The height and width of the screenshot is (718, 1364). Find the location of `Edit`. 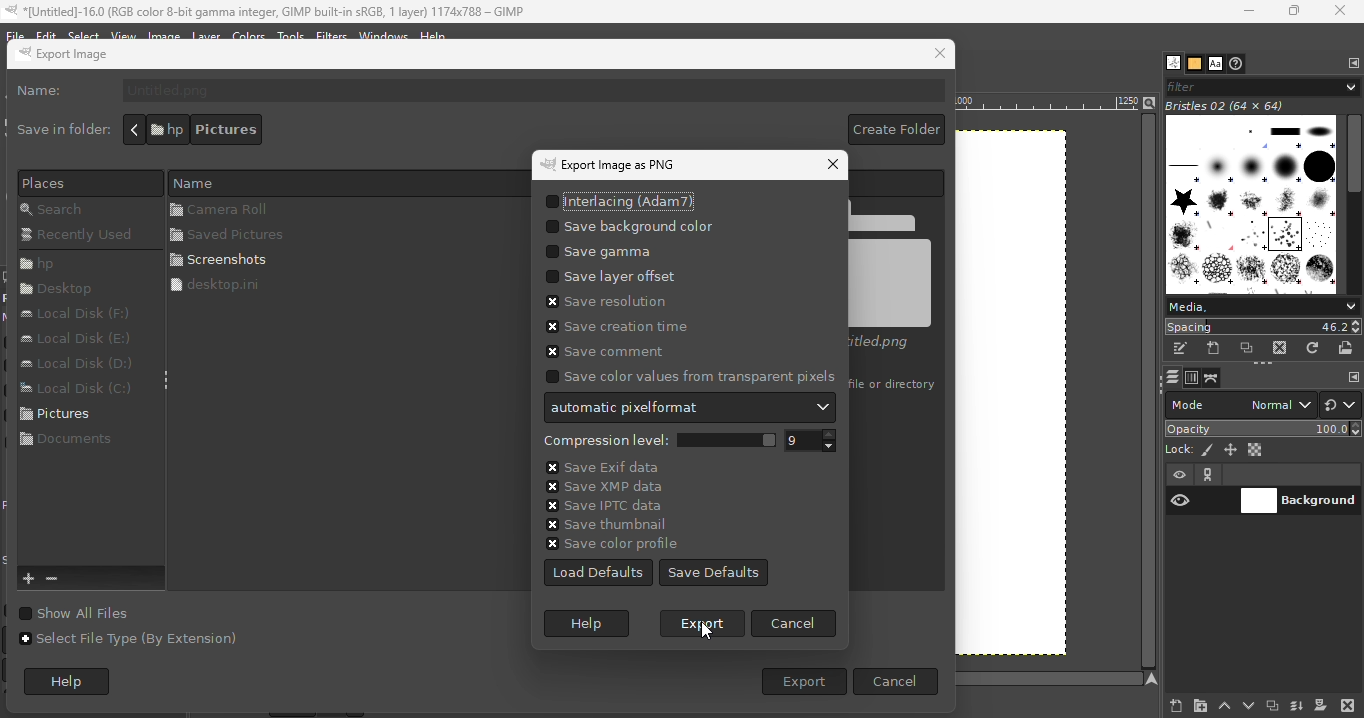

Edit is located at coordinates (45, 33).